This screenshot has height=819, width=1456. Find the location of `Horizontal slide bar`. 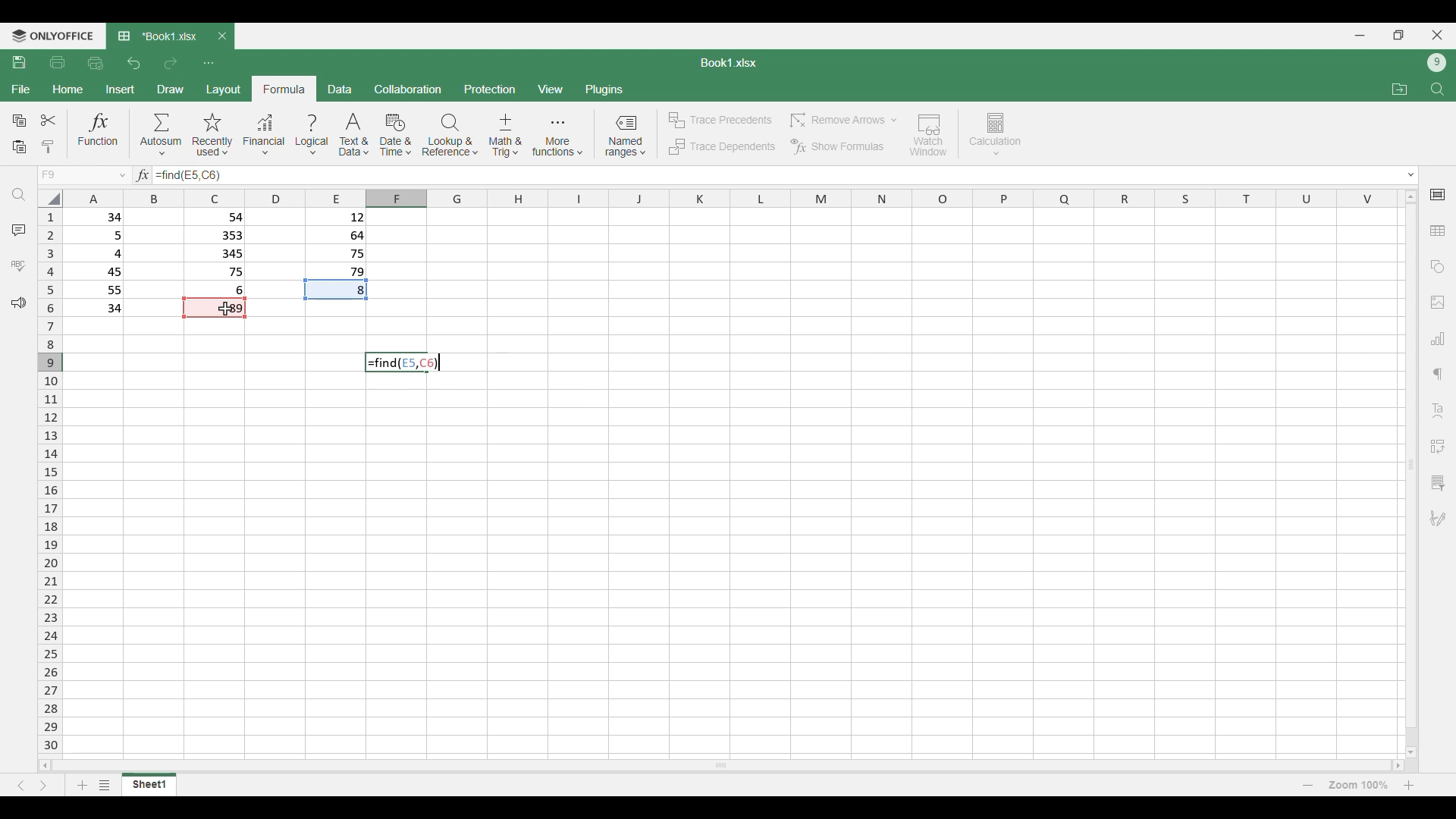

Horizontal slide bar is located at coordinates (721, 764).